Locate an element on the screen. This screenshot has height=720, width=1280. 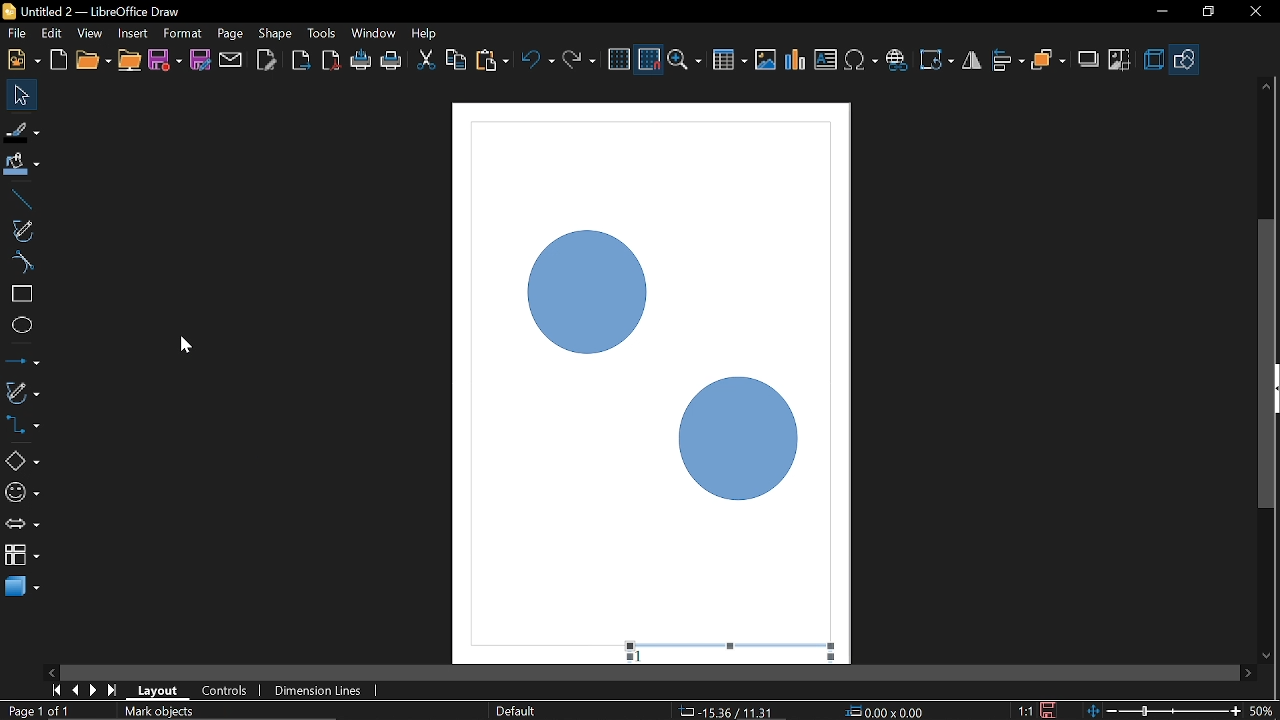
Image is located at coordinates (765, 59).